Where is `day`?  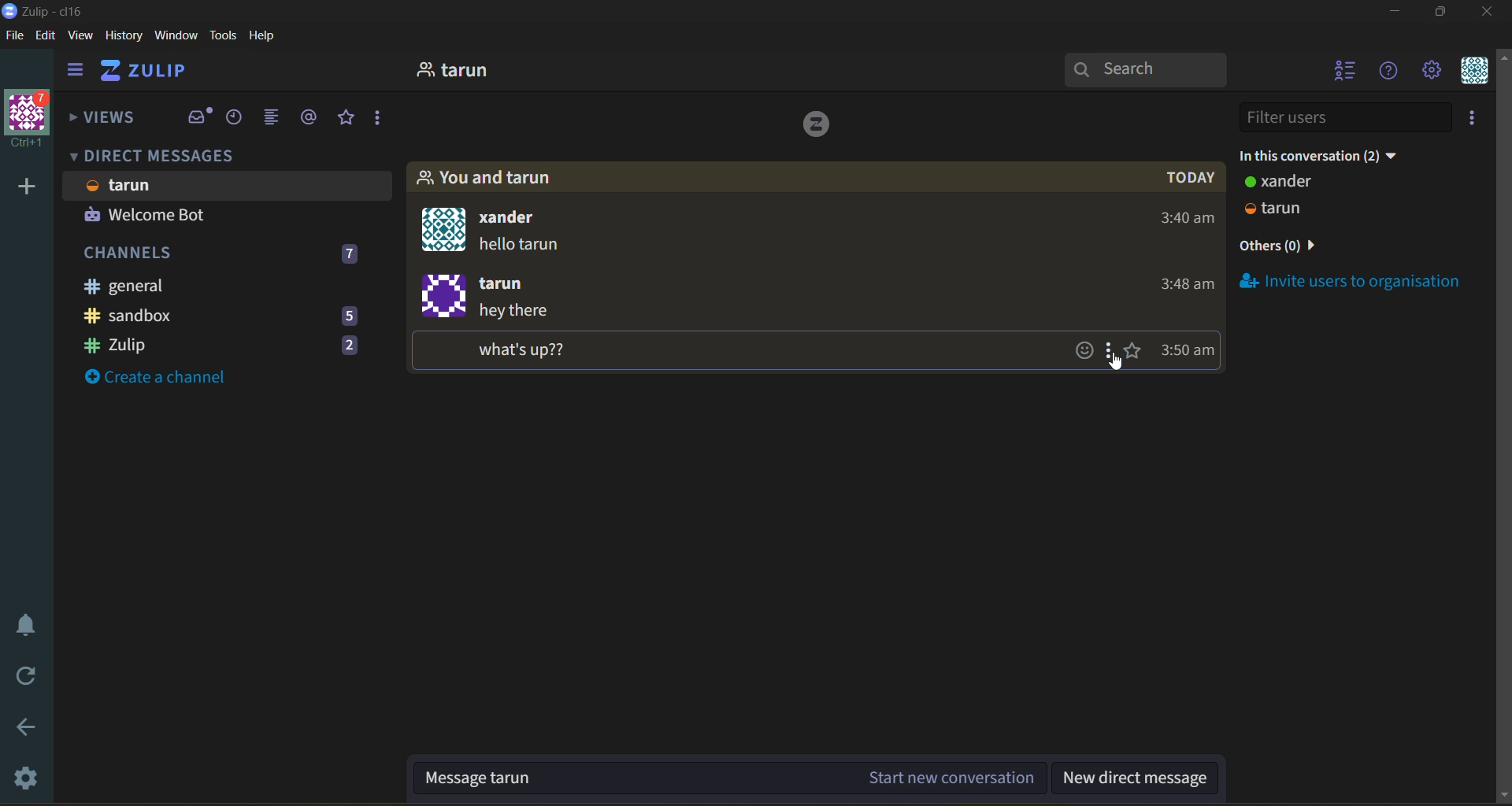
day is located at coordinates (1194, 179).